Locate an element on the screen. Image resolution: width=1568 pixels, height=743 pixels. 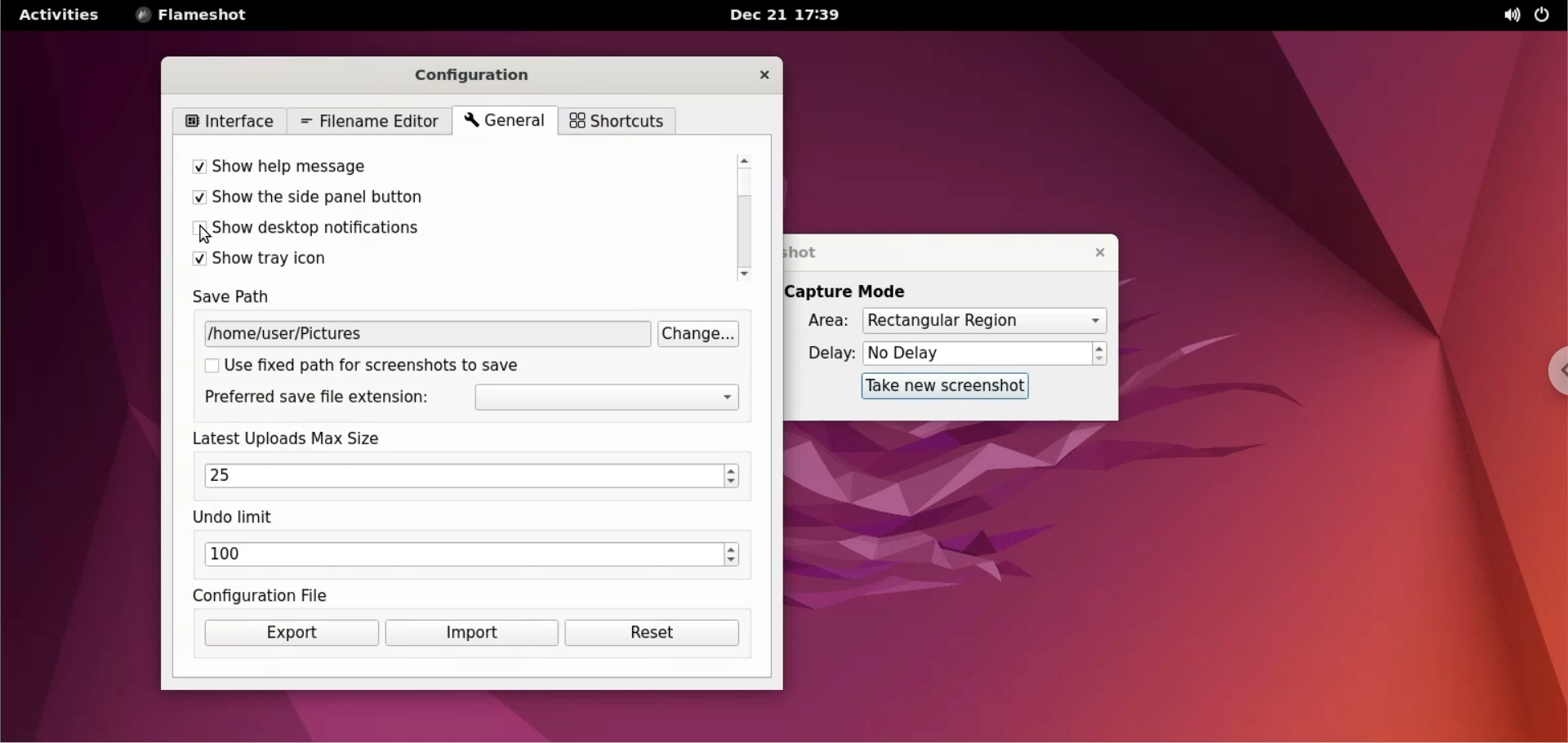
configuration file  is located at coordinates (266, 595).